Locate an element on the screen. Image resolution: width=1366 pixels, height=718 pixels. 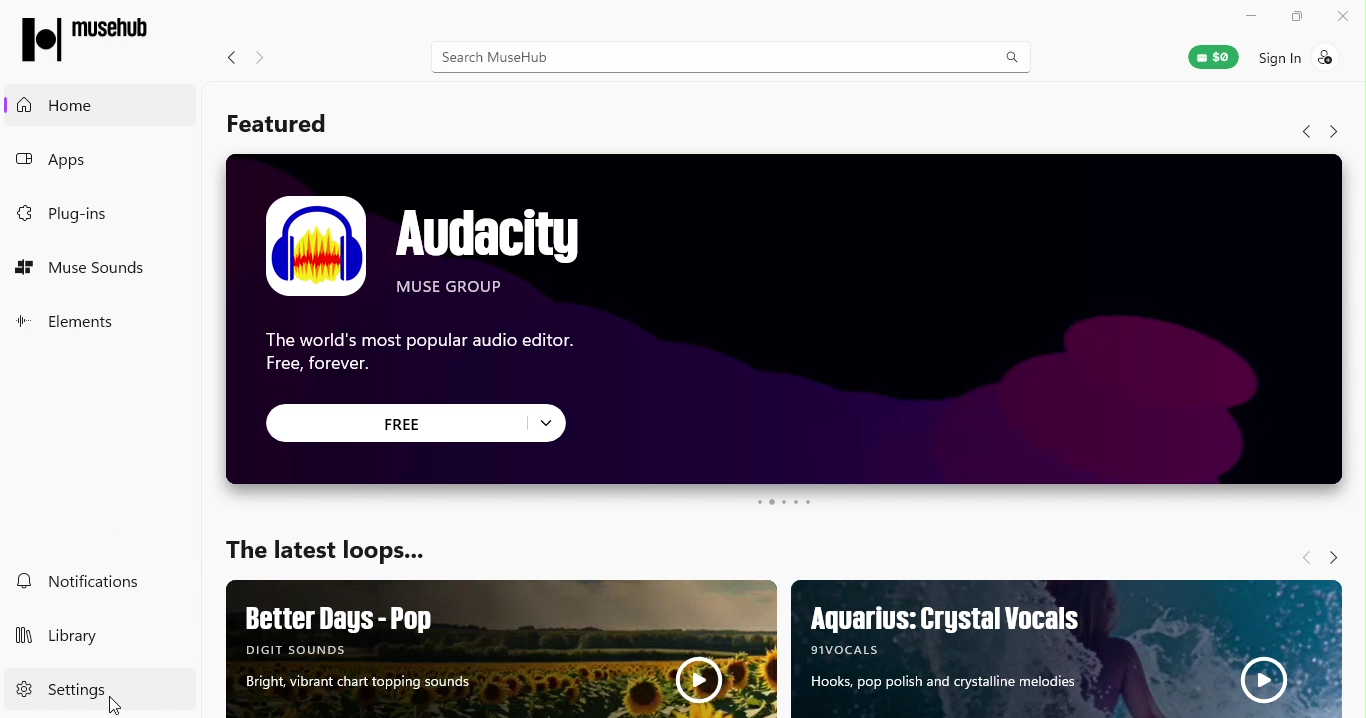
Muse wallet is located at coordinates (1204, 56).